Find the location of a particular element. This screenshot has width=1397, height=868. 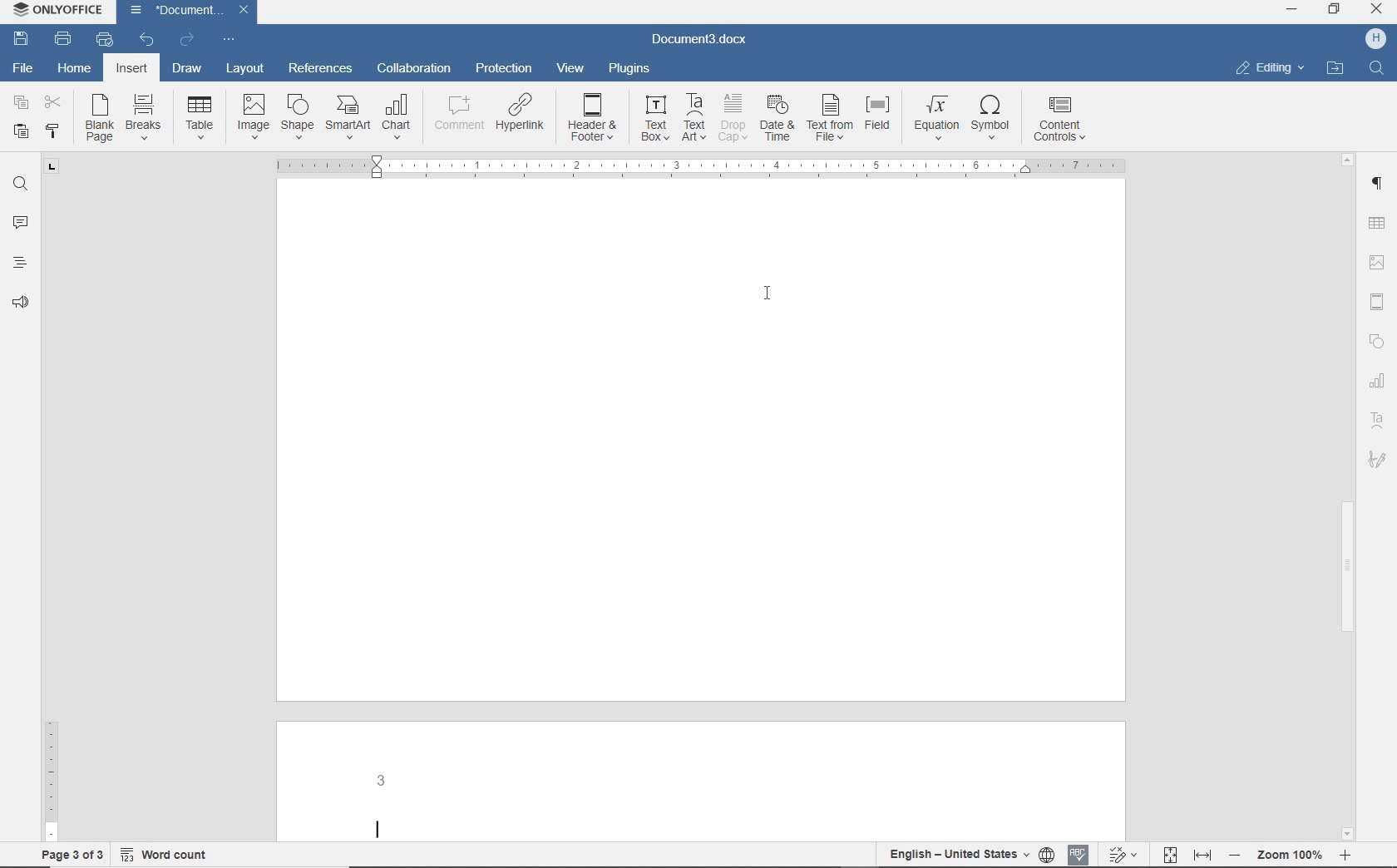

COPY STYLE is located at coordinates (54, 131).